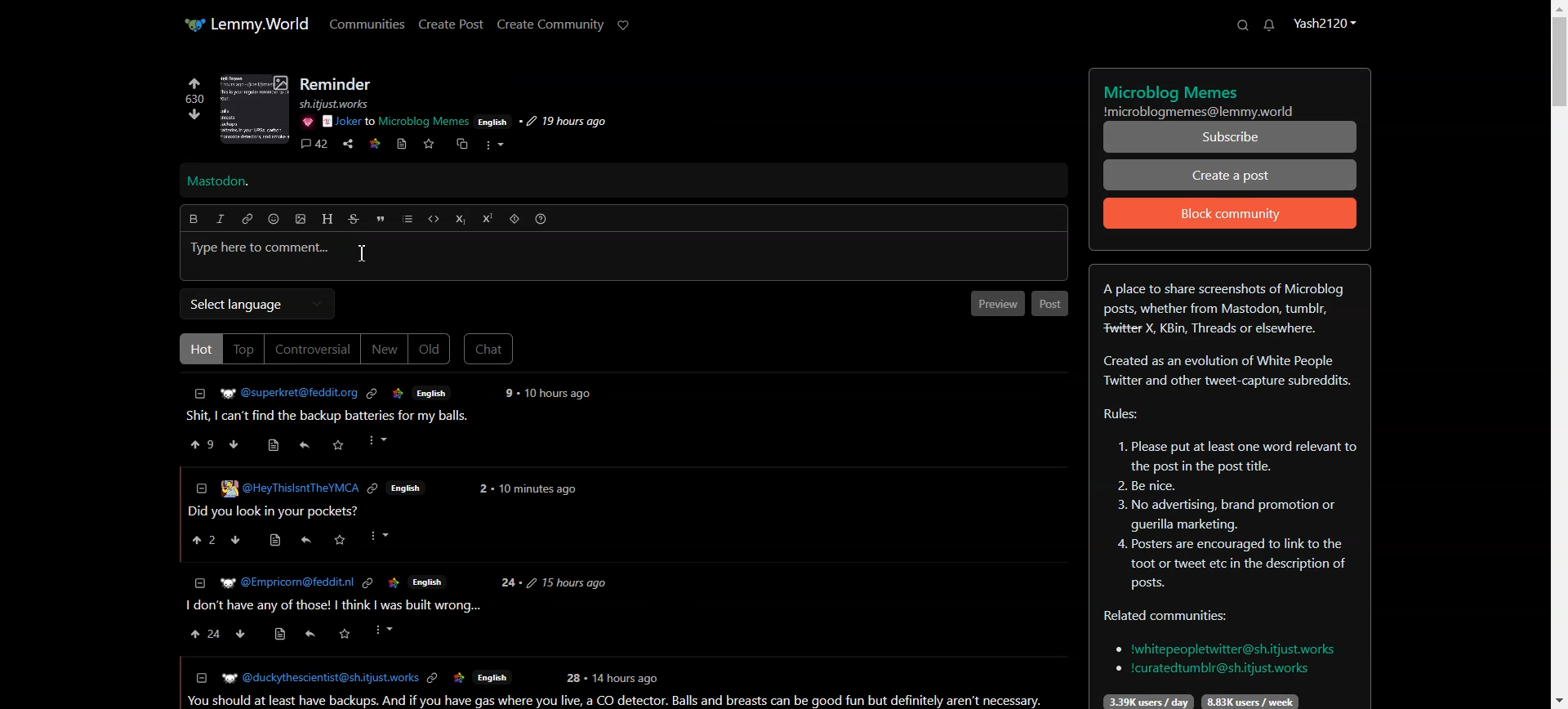 This screenshot has height=709, width=1568. Describe the element at coordinates (541, 219) in the screenshot. I see `Formatting help` at that location.